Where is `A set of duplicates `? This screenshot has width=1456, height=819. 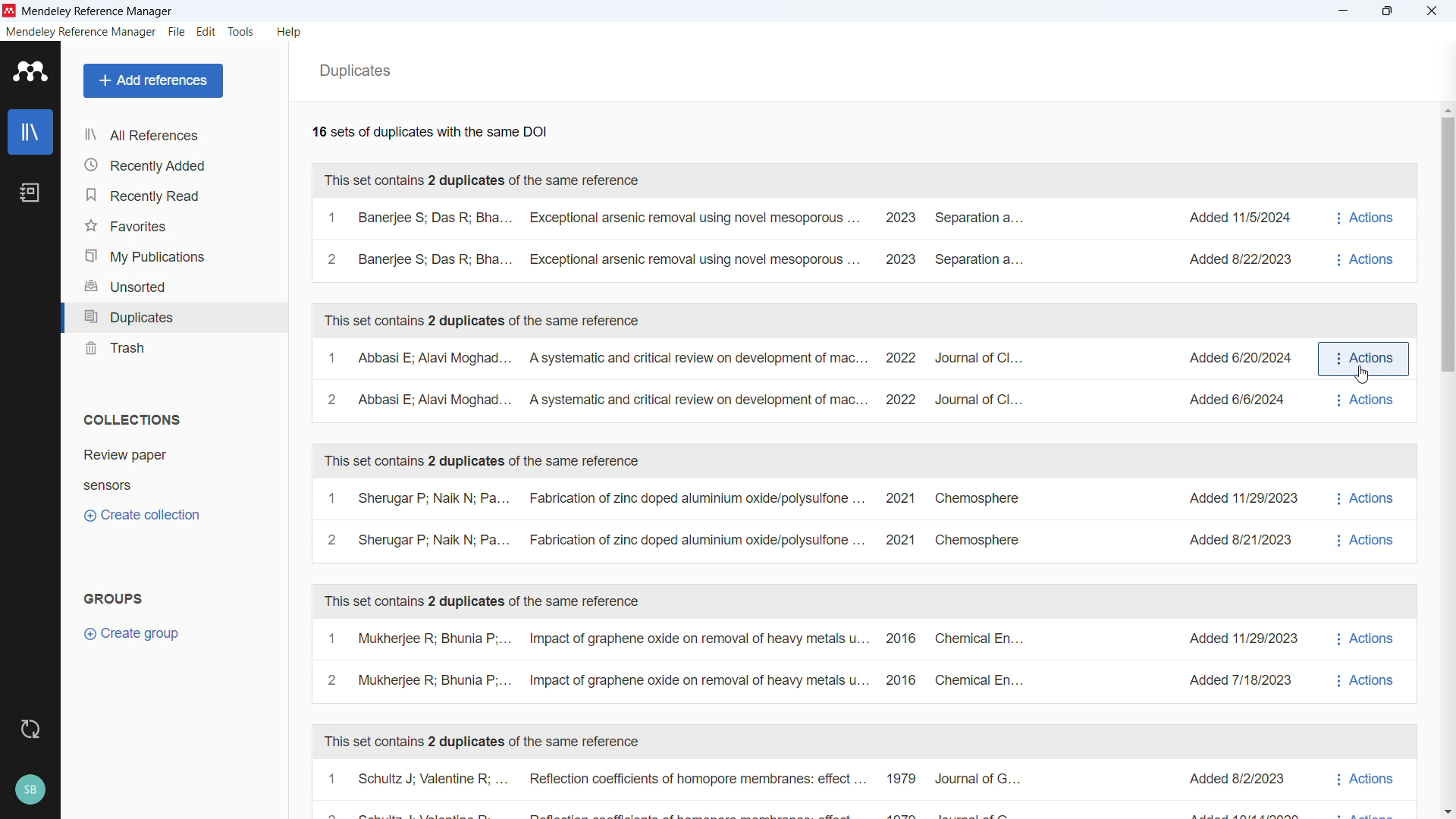 A set of duplicates  is located at coordinates (816, 789).